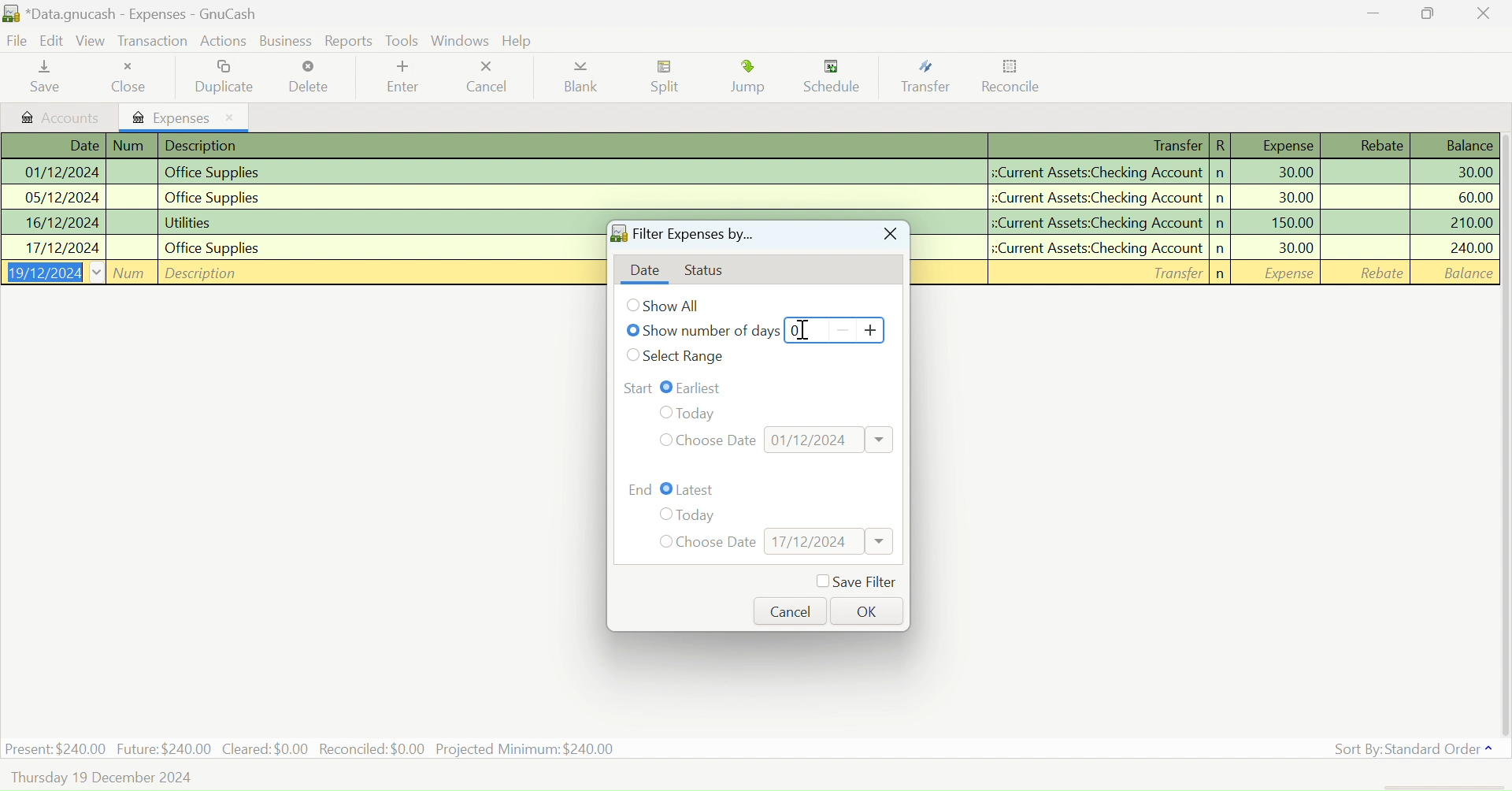 The image size is (1512, 791). What do you see at coordinates (682, 236) in the screenshot?
I see `Filter Expenses by...` at bounding box center [682, 236].